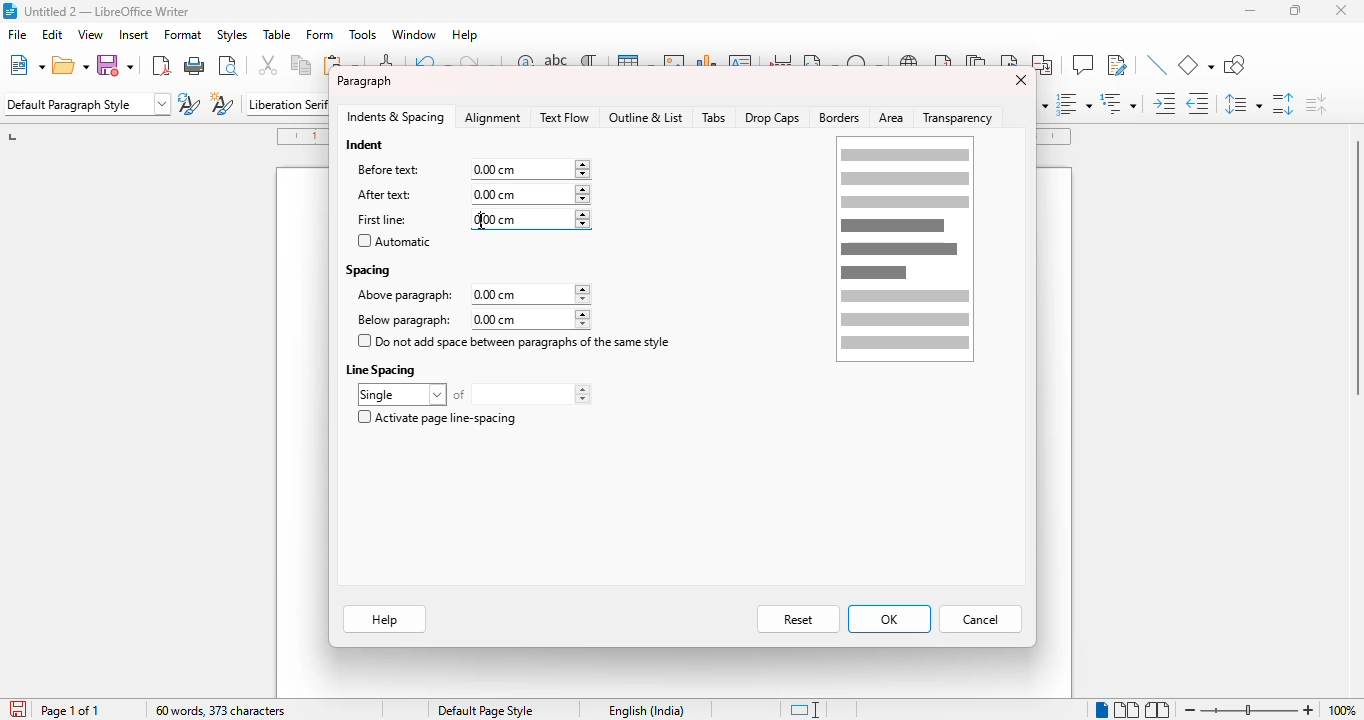 The width and height of the screenshot is (1364, 720). Describe the element at coordinates (221, 710) in the screenshot. I see `word and character count` at that location.